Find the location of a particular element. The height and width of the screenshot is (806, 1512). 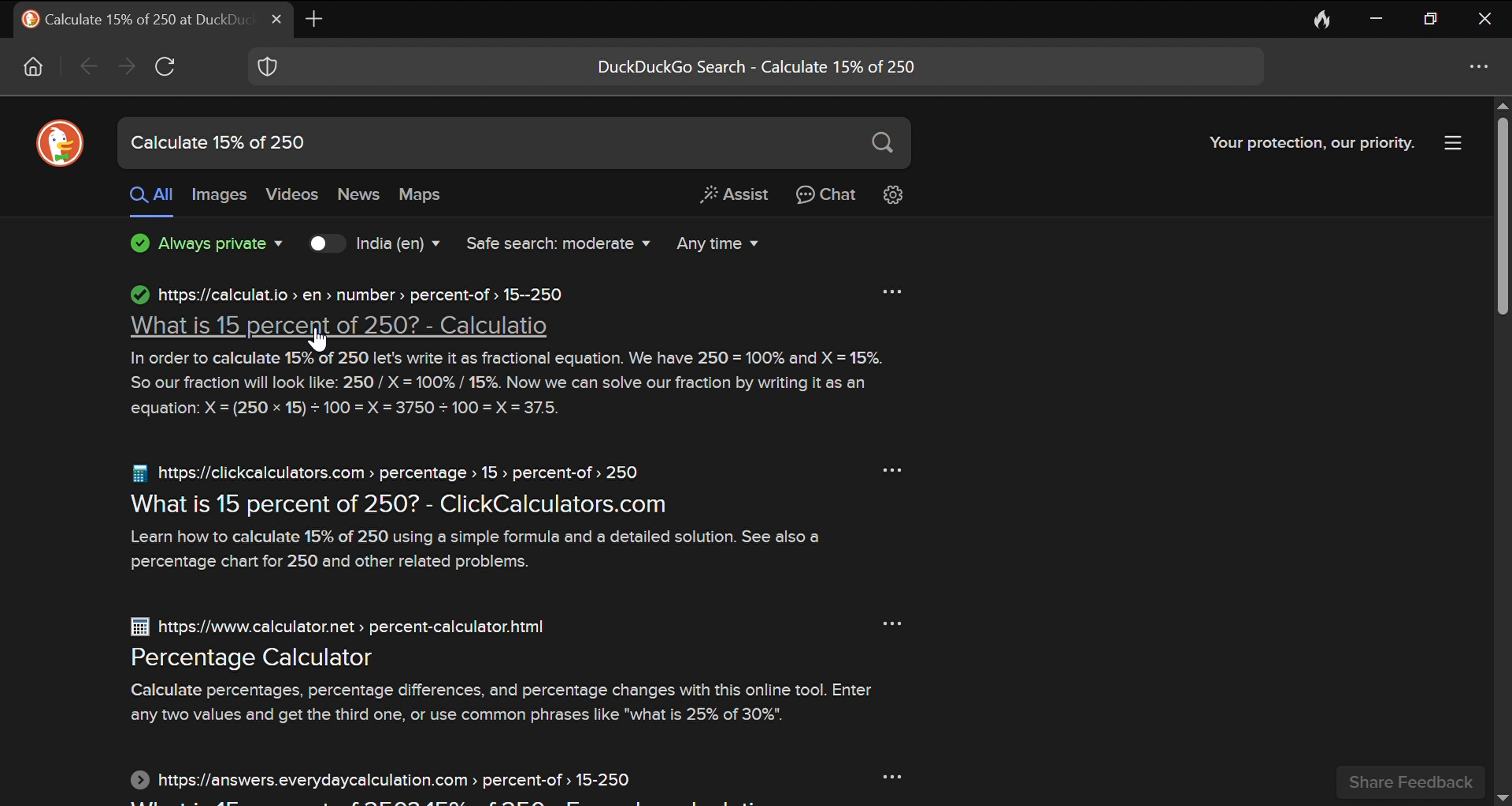

DuckDuckGo logo is located at coordinates (59, 141).